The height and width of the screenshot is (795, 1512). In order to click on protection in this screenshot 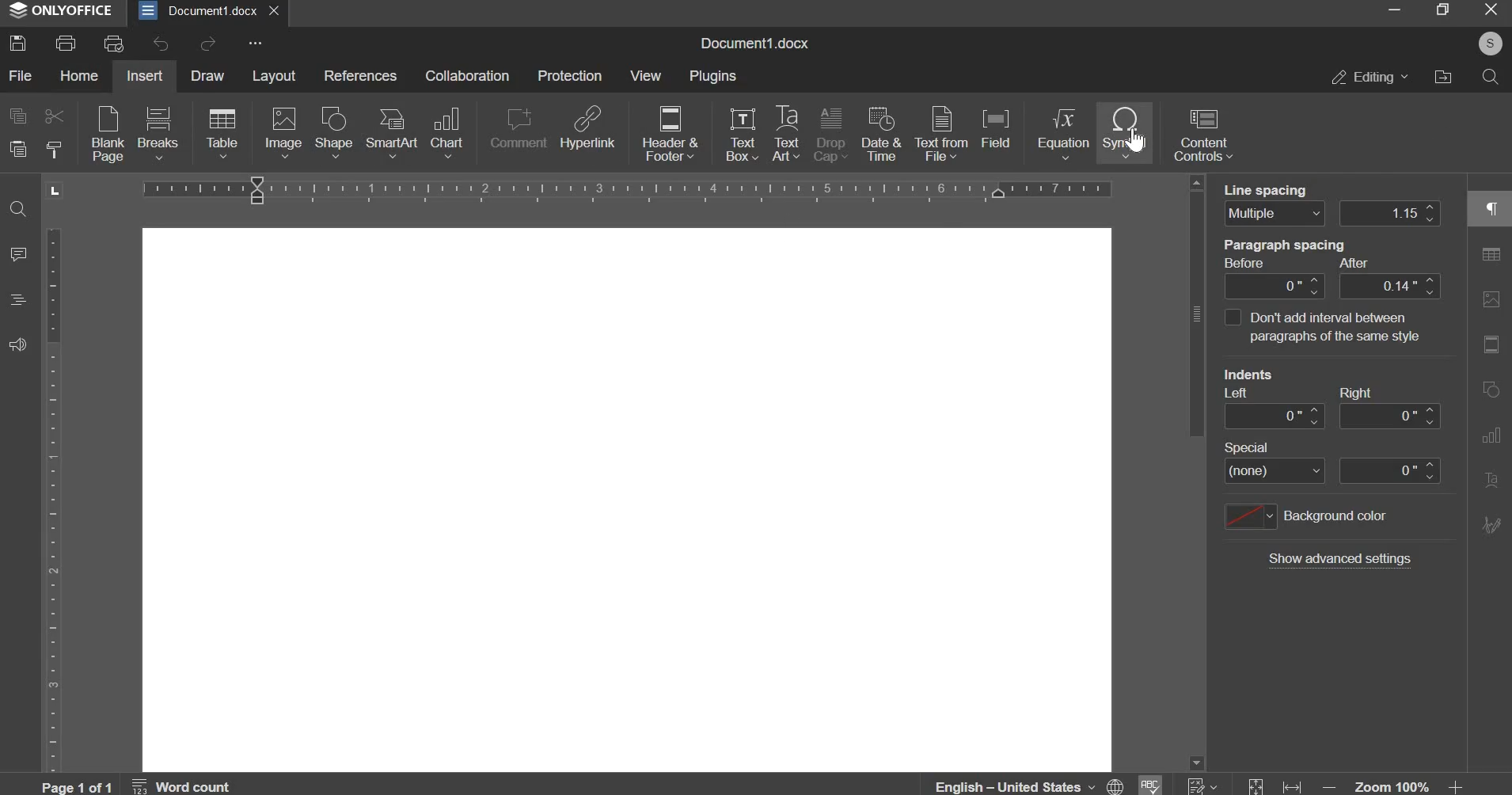, I will do `click(569, 75)`.